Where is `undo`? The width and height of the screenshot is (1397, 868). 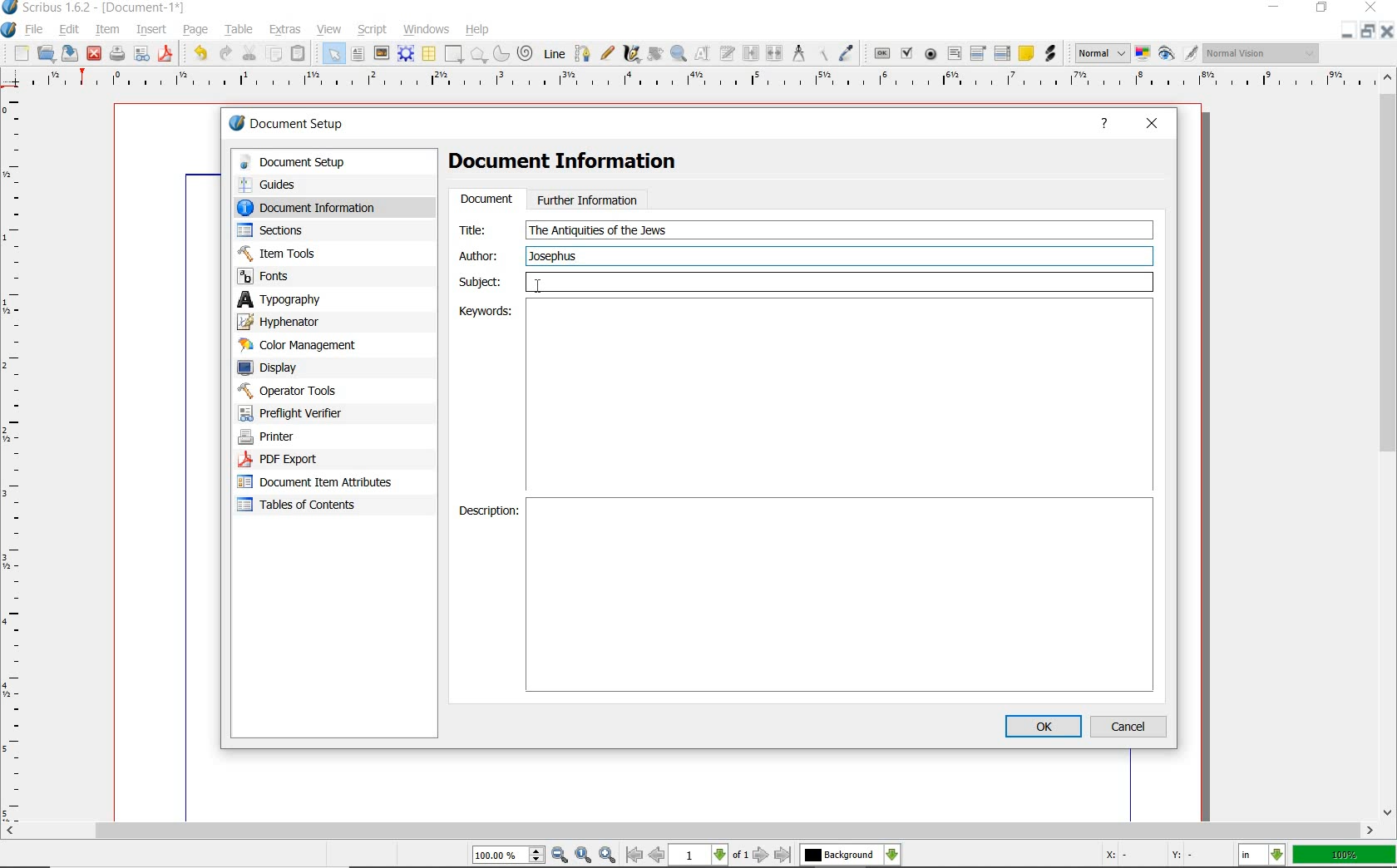 undo is located at coordinates (200, 55).